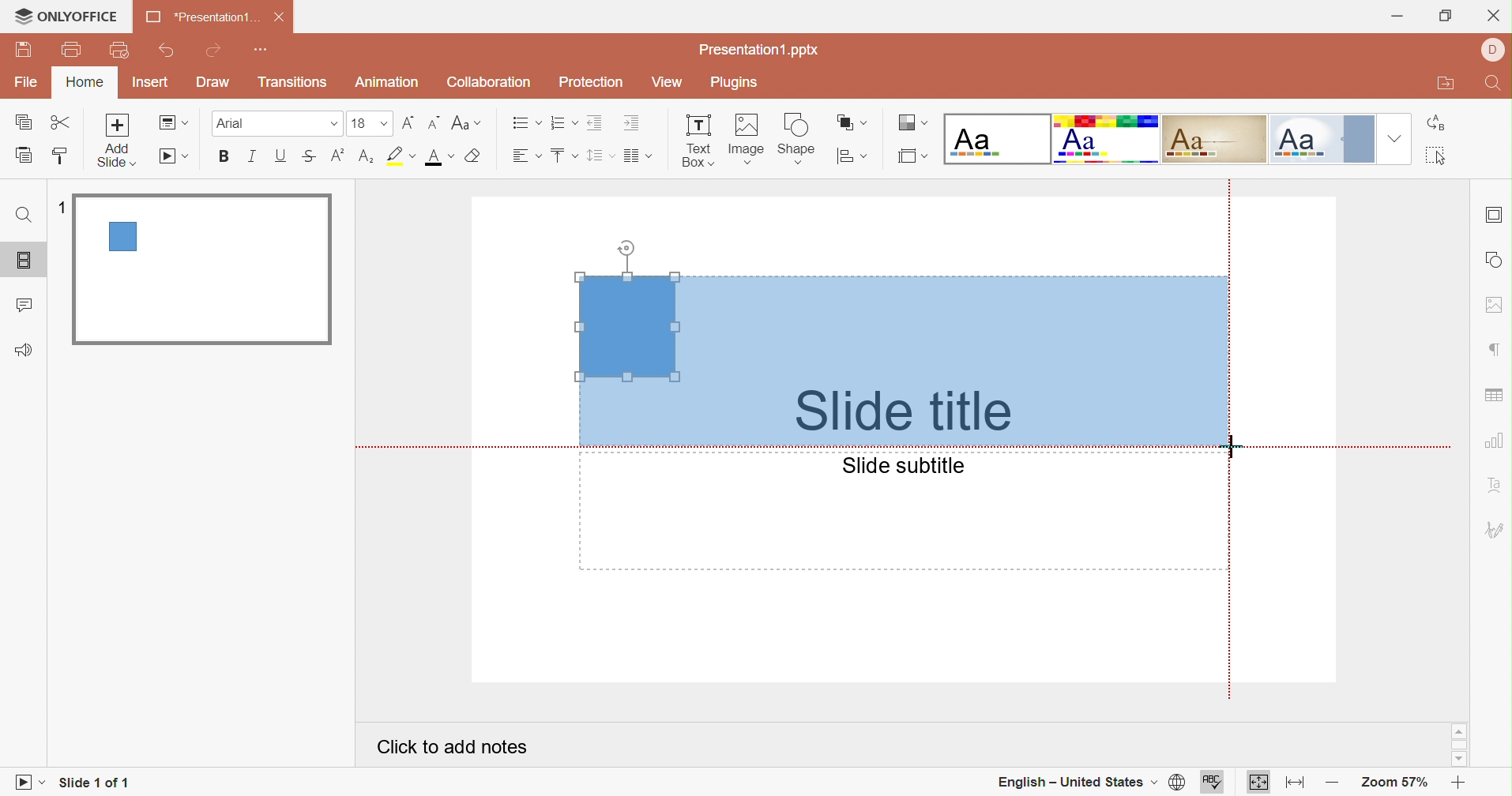 The width and height of the screenshot is (1512, 796). I want to click on Select all, so click(1439, 157).